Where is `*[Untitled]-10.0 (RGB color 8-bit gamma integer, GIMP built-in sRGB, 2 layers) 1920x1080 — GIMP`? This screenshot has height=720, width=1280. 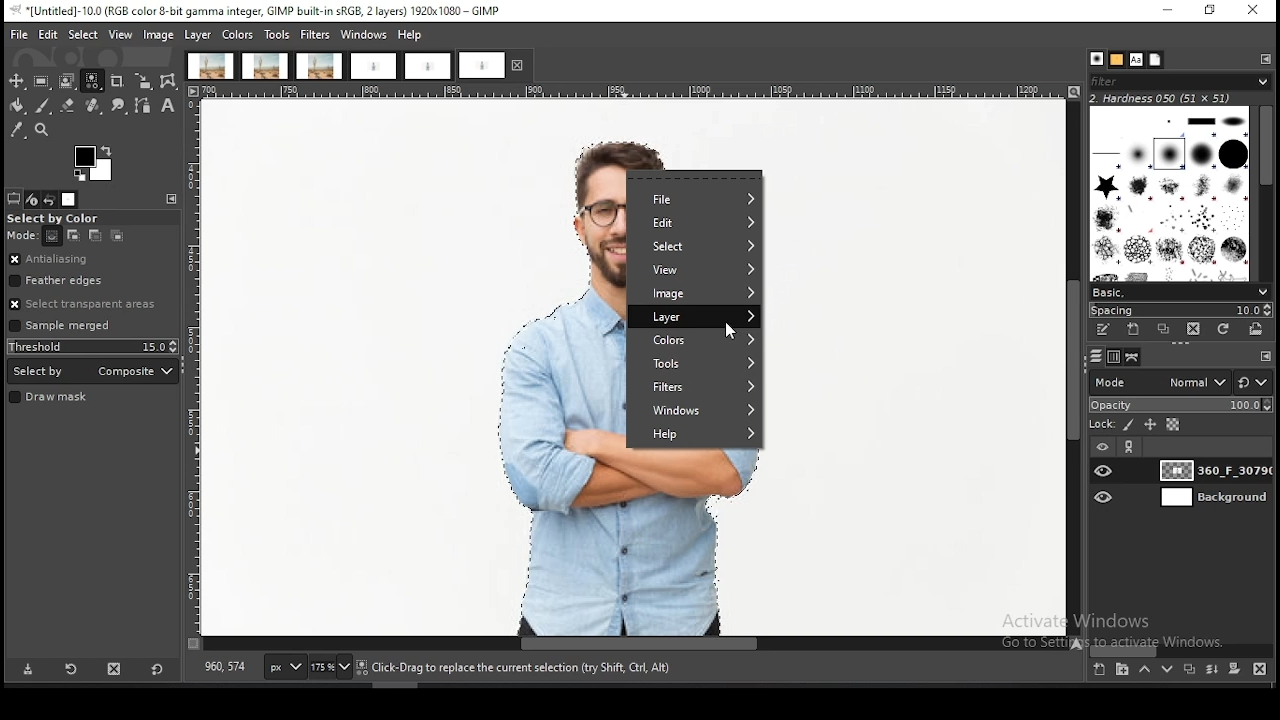 *[Untitled]-10.0 (RGB color 8-bit gamma integer, GIMP built-in sRGB, 2 layers) 1920x1080 — GIMP is located at coordinates (260, 11).